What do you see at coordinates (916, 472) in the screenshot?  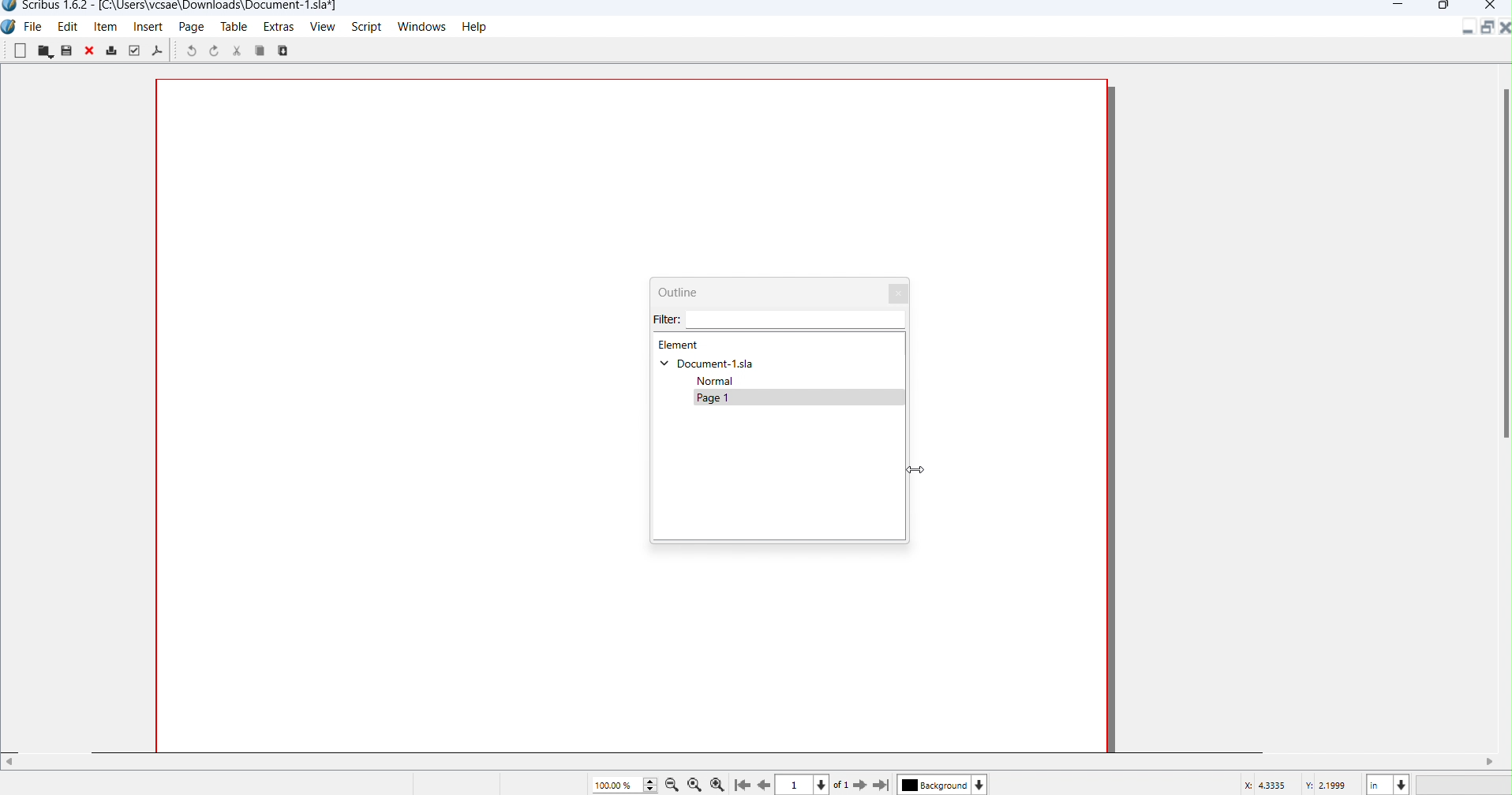 I see `cursor` at bounding box center [916, 472].